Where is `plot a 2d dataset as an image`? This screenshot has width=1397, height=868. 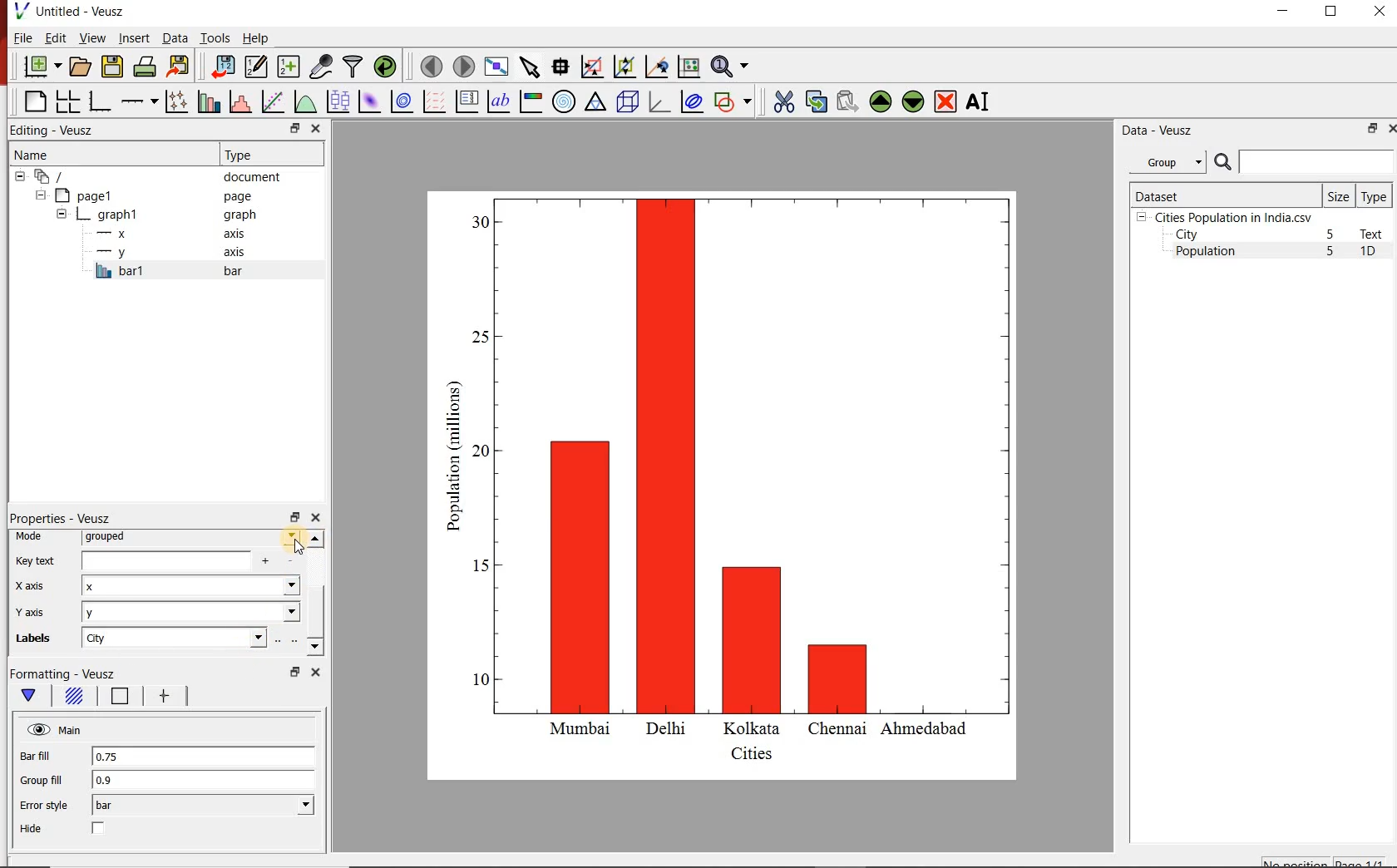
plot a 2d dataset as an image is located at coordinates (368, 100).